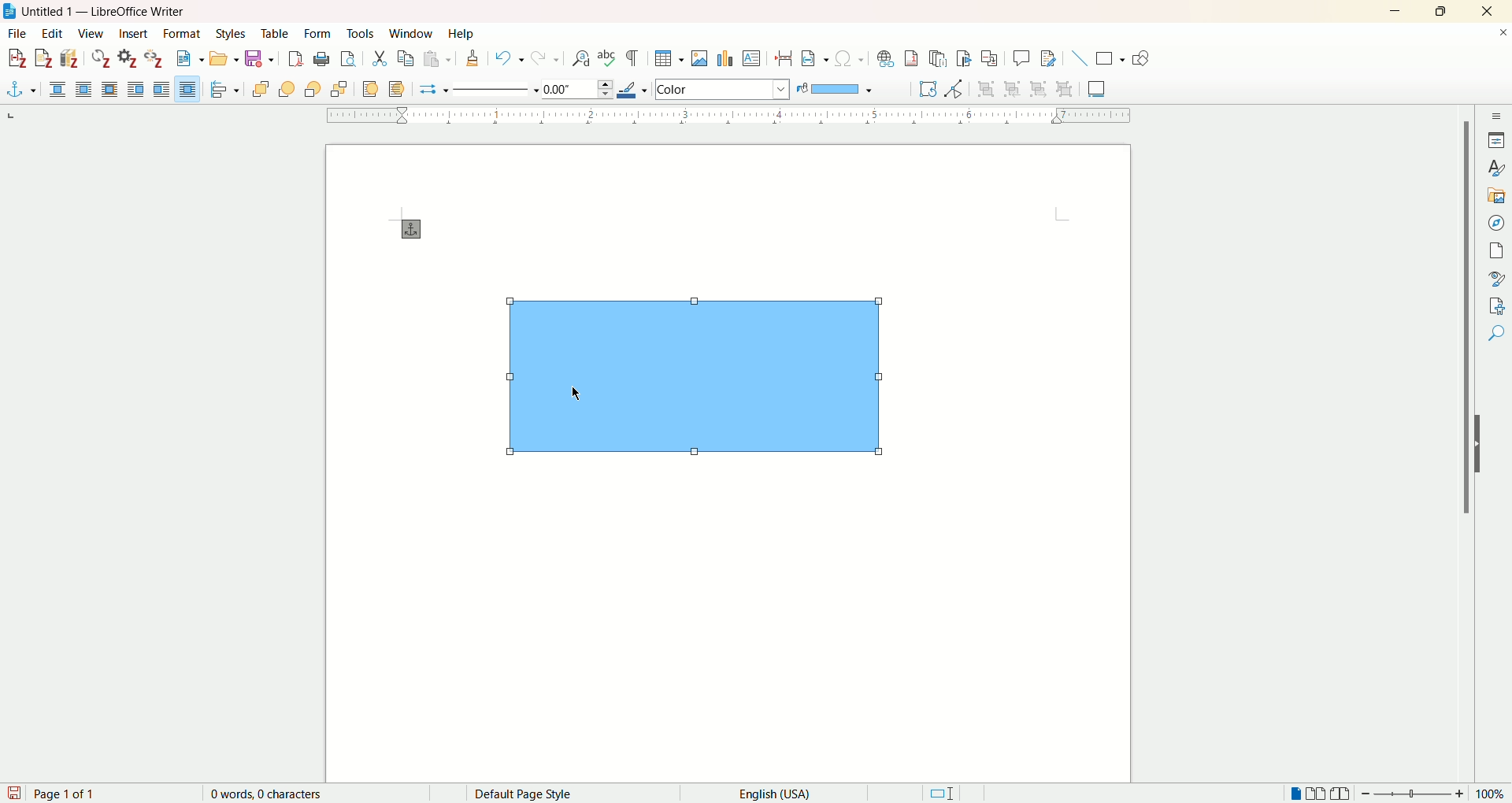  What do you see at coordinates (233, 33) in the screenshot?
I see `styles` at bounding box center [233, 33].